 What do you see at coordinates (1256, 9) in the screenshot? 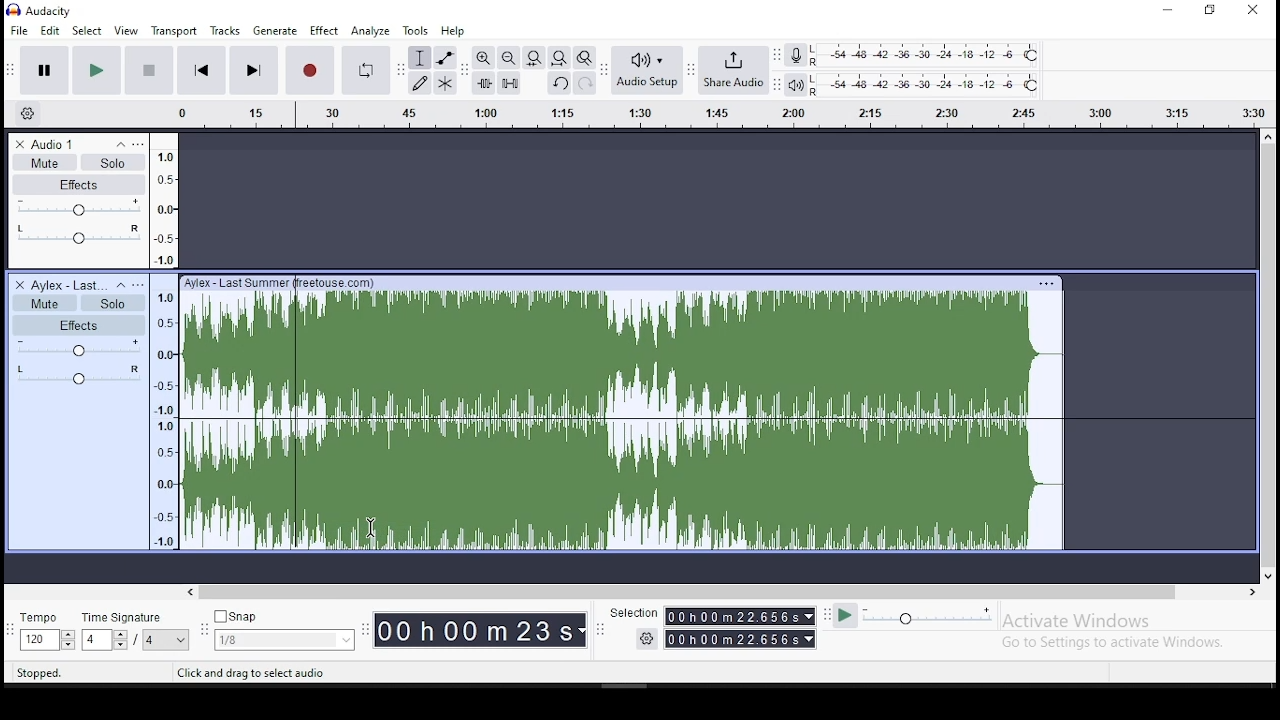
I see `close window` at bounding box center [1256, 9].